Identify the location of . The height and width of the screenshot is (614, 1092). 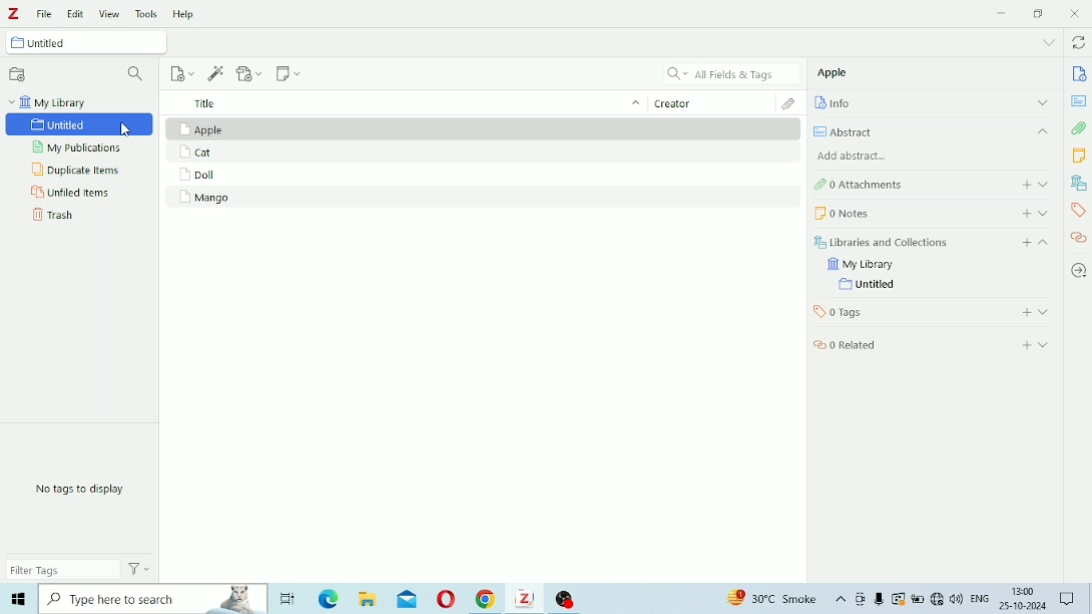
(405, 596).